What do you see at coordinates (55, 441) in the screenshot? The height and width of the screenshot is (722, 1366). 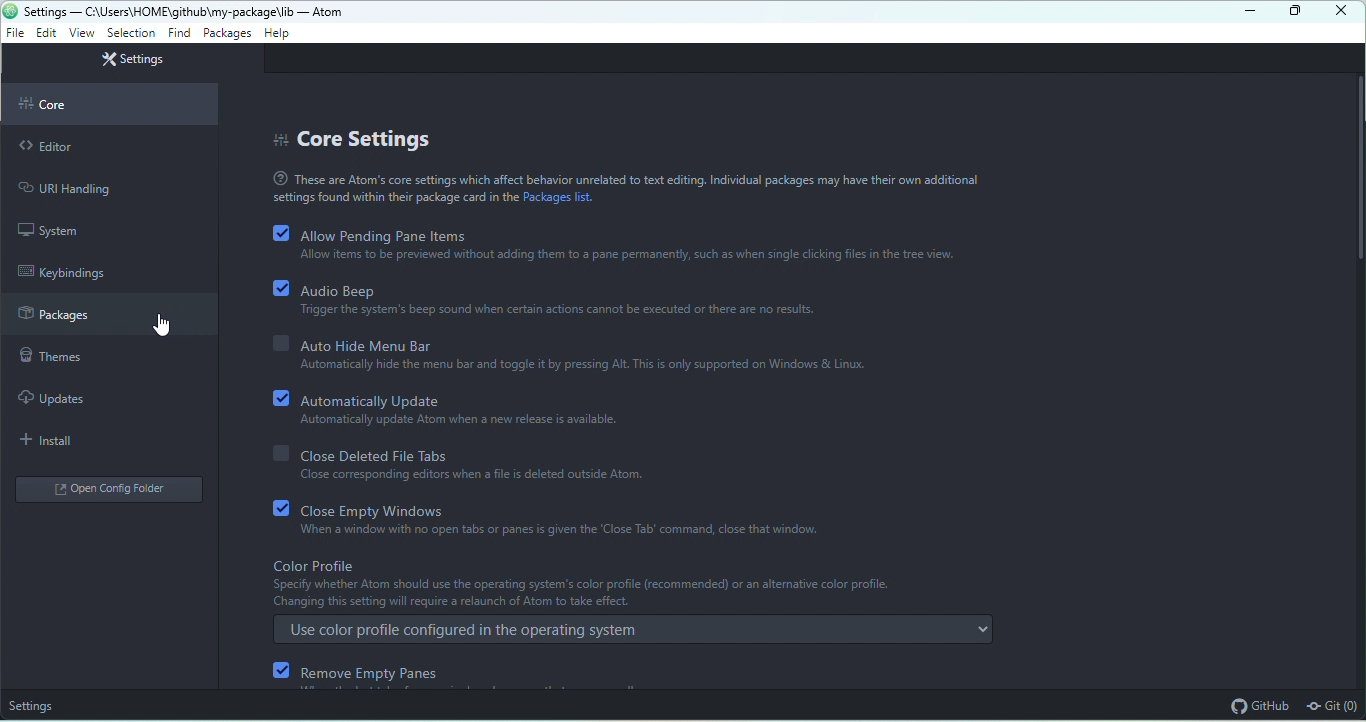 I see `install` at bounding box center [55, 441].